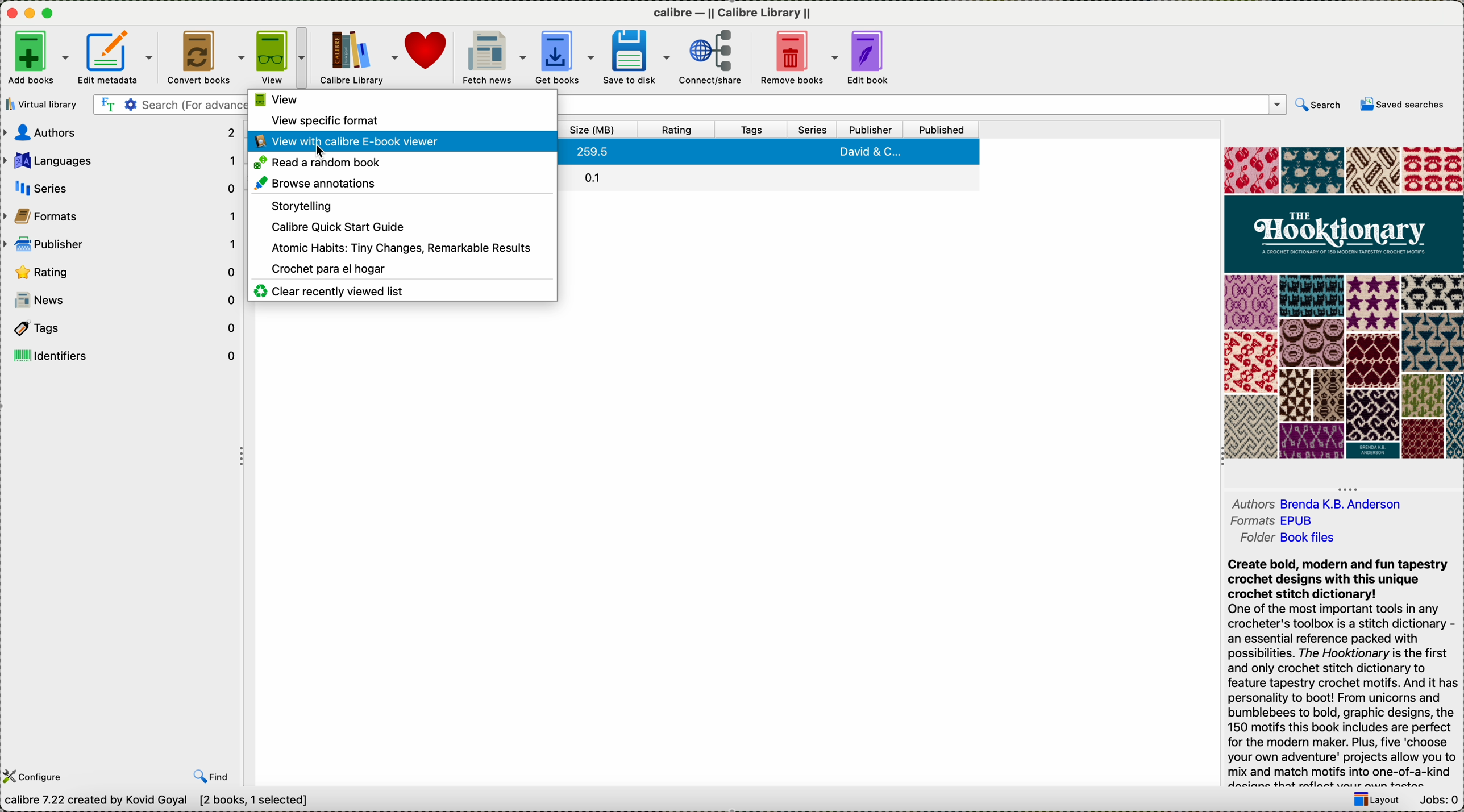 The height and width of the screenshot is (812, 1464). What do you see at coordinates (768, 152) in the screenshot?
I see `first book selected` at bounding box center [768, 152].